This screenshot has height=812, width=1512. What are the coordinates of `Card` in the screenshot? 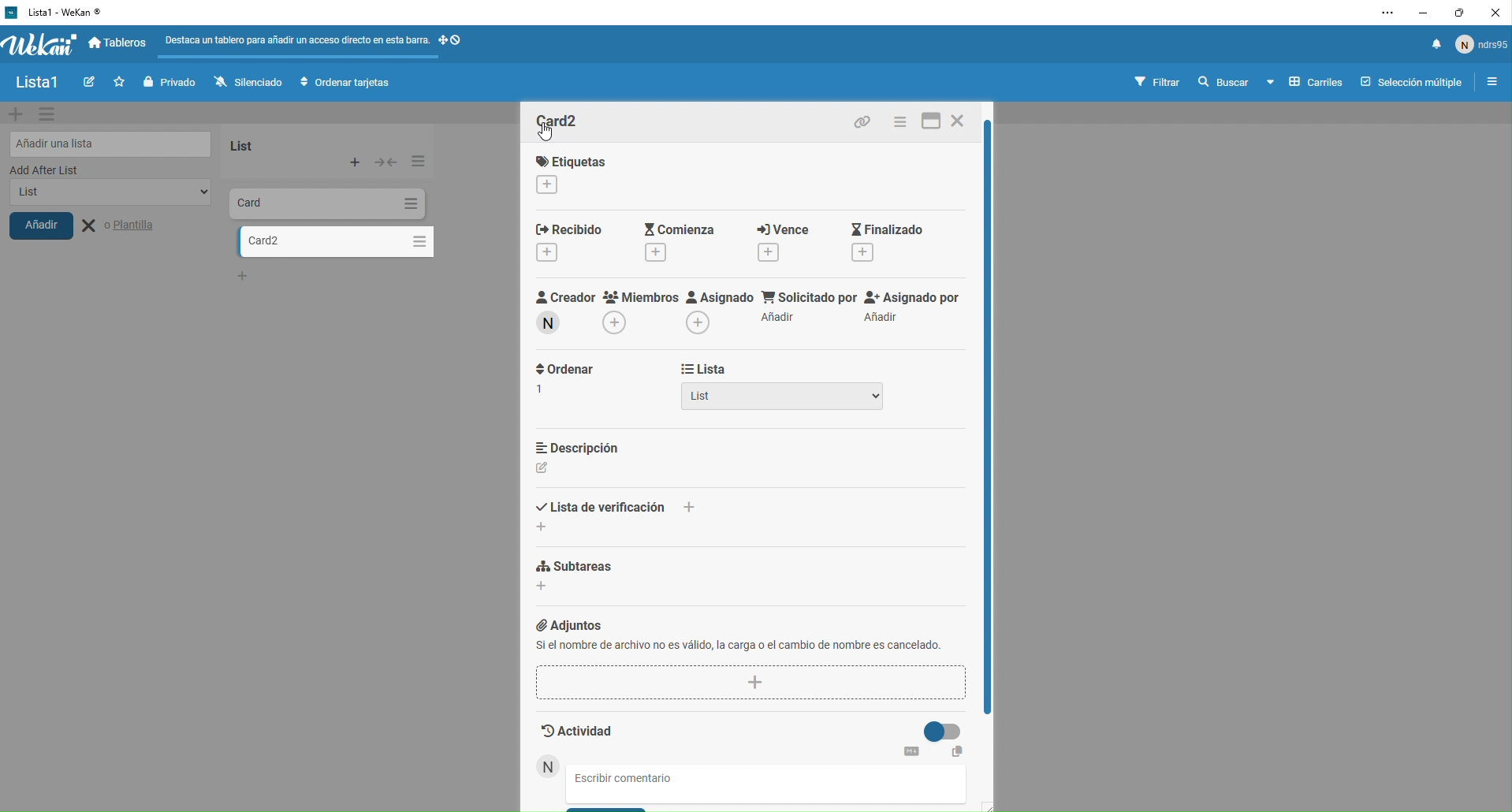 It's located at (290, 202).